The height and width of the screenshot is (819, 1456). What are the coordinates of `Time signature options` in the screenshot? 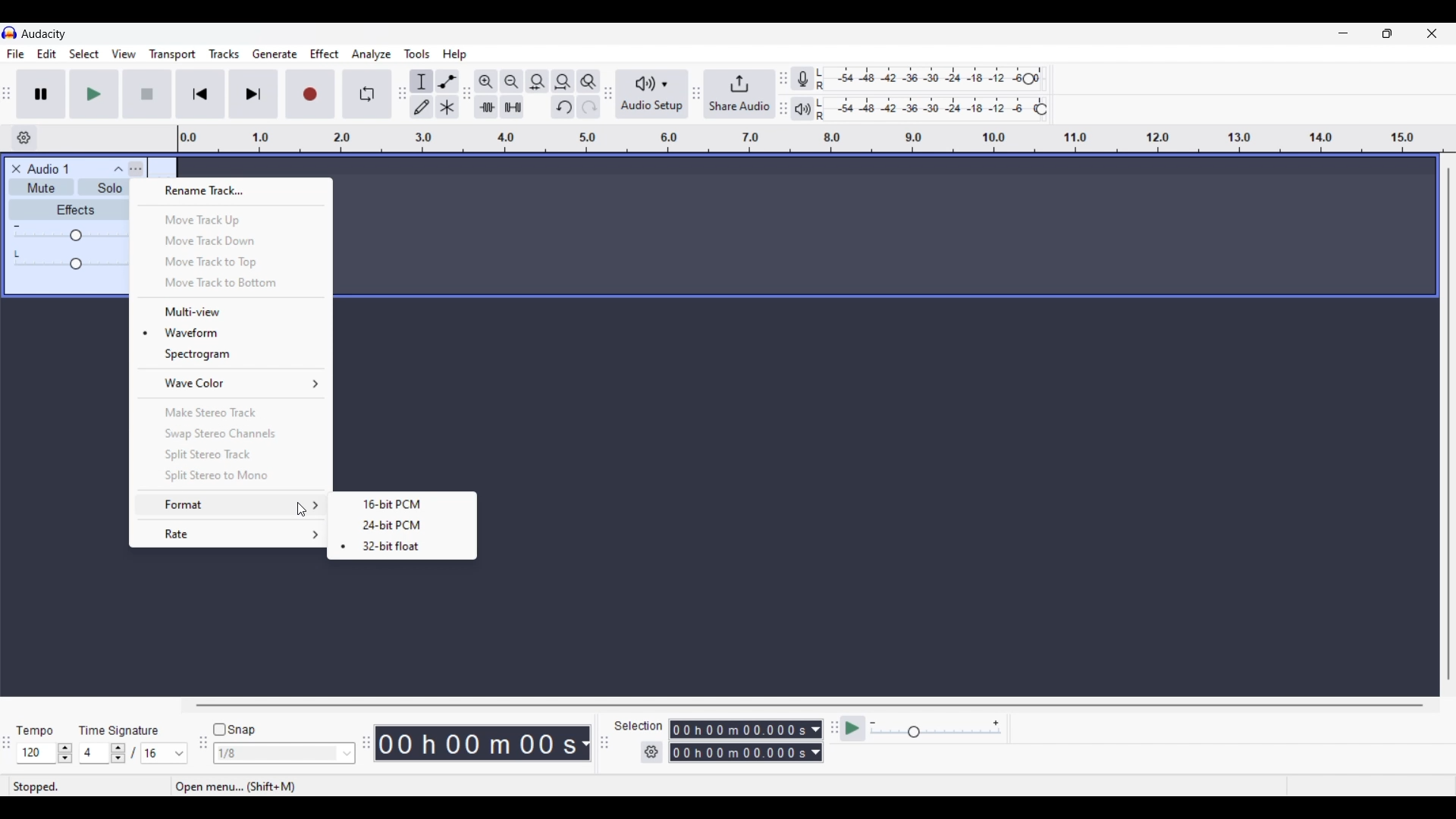 It's located at (180, 754).